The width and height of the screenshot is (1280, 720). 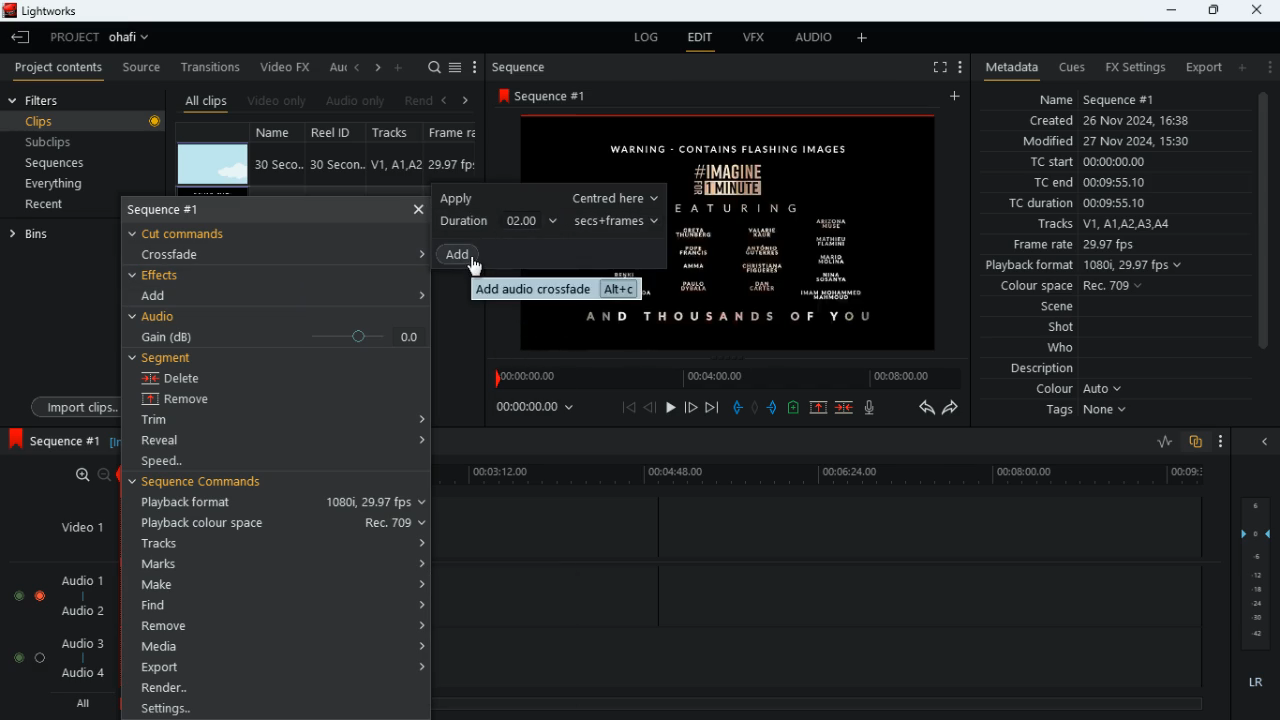 What do you see at coordinates (81, 676) in the screenshot?
I see `audio 4` at bounding box center [81, 676].